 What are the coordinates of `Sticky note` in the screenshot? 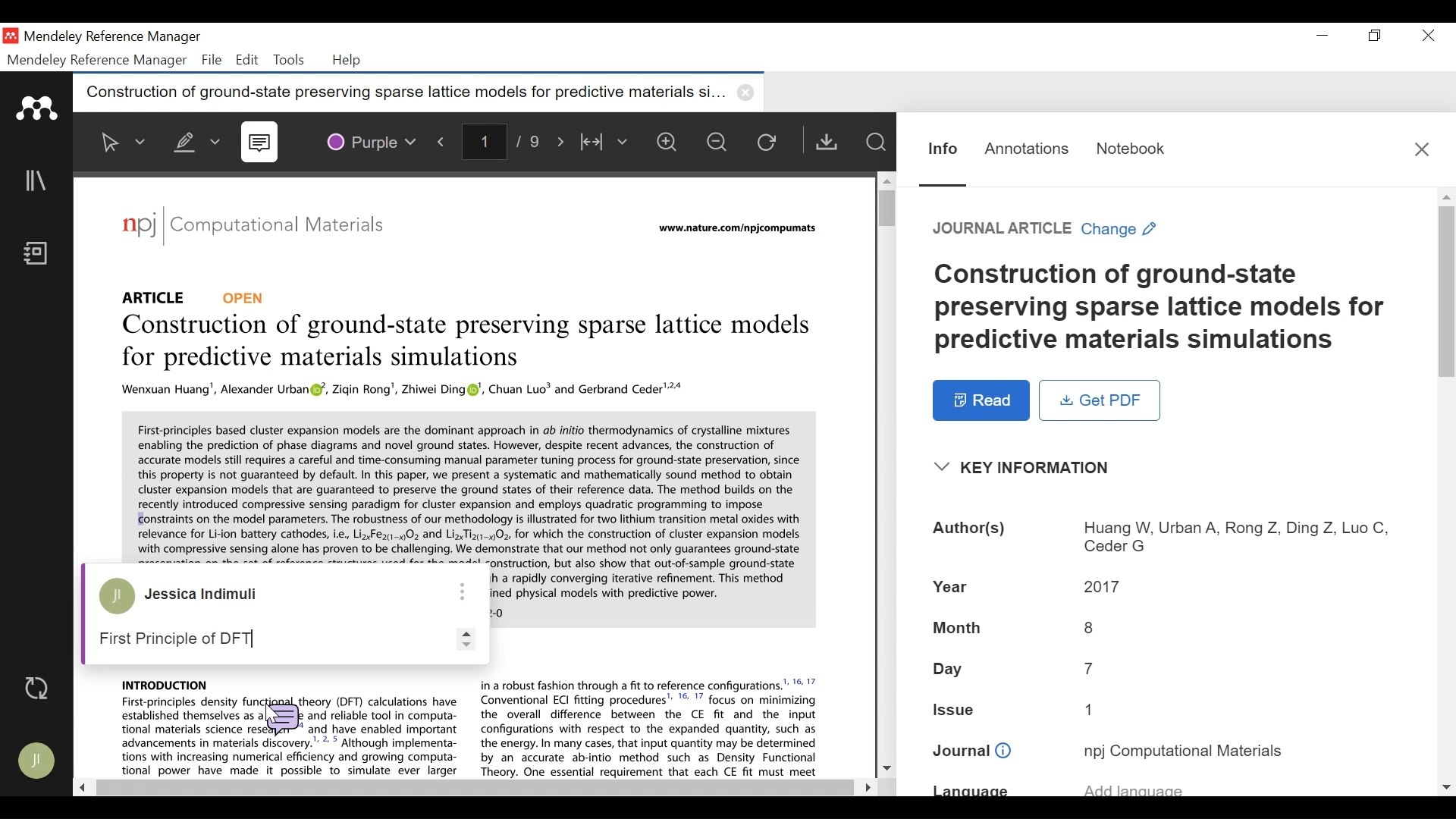 It's located at (281, 715).